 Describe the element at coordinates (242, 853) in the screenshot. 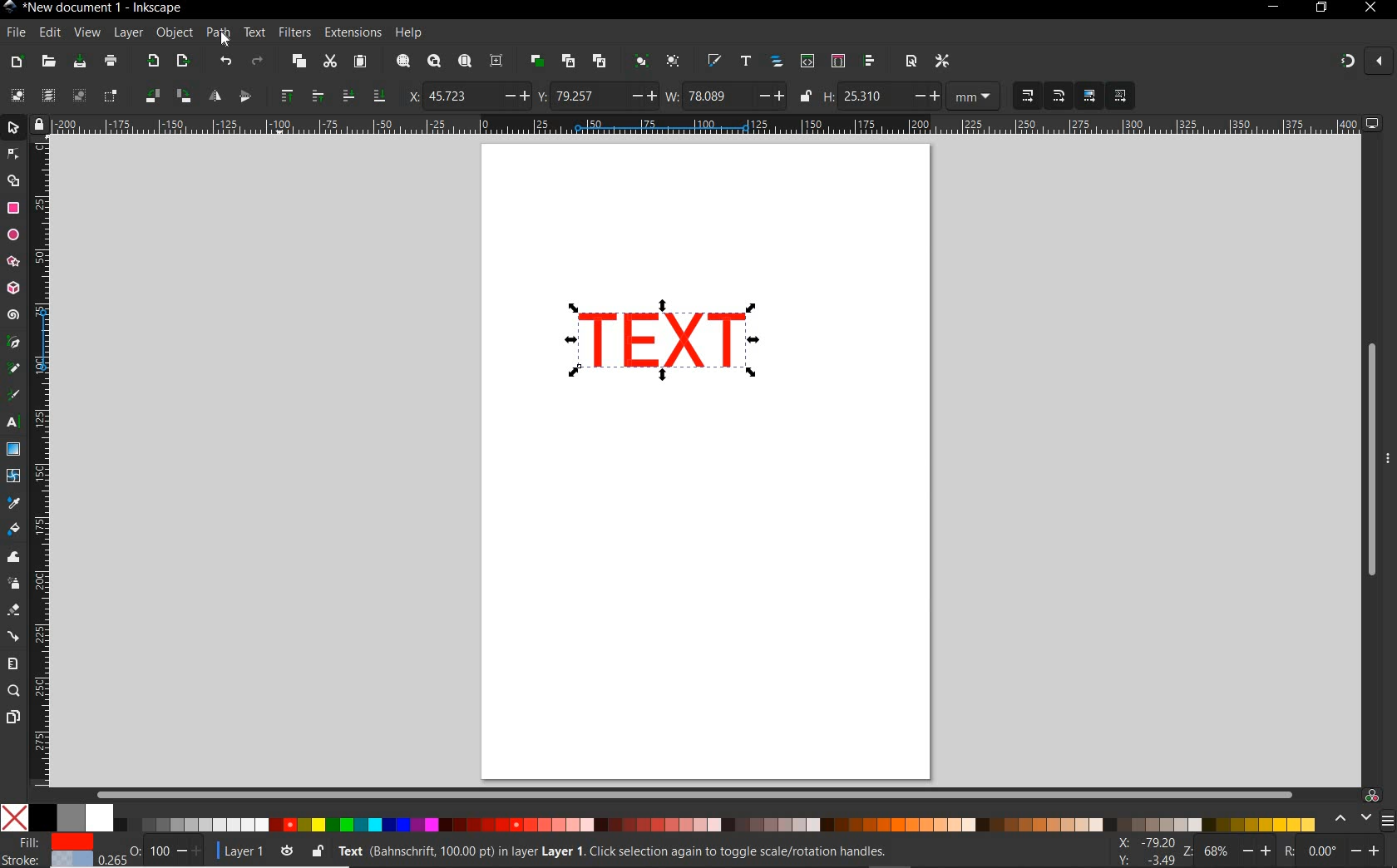

I see `CURRENT LAYER: LAYER 1` at that location.